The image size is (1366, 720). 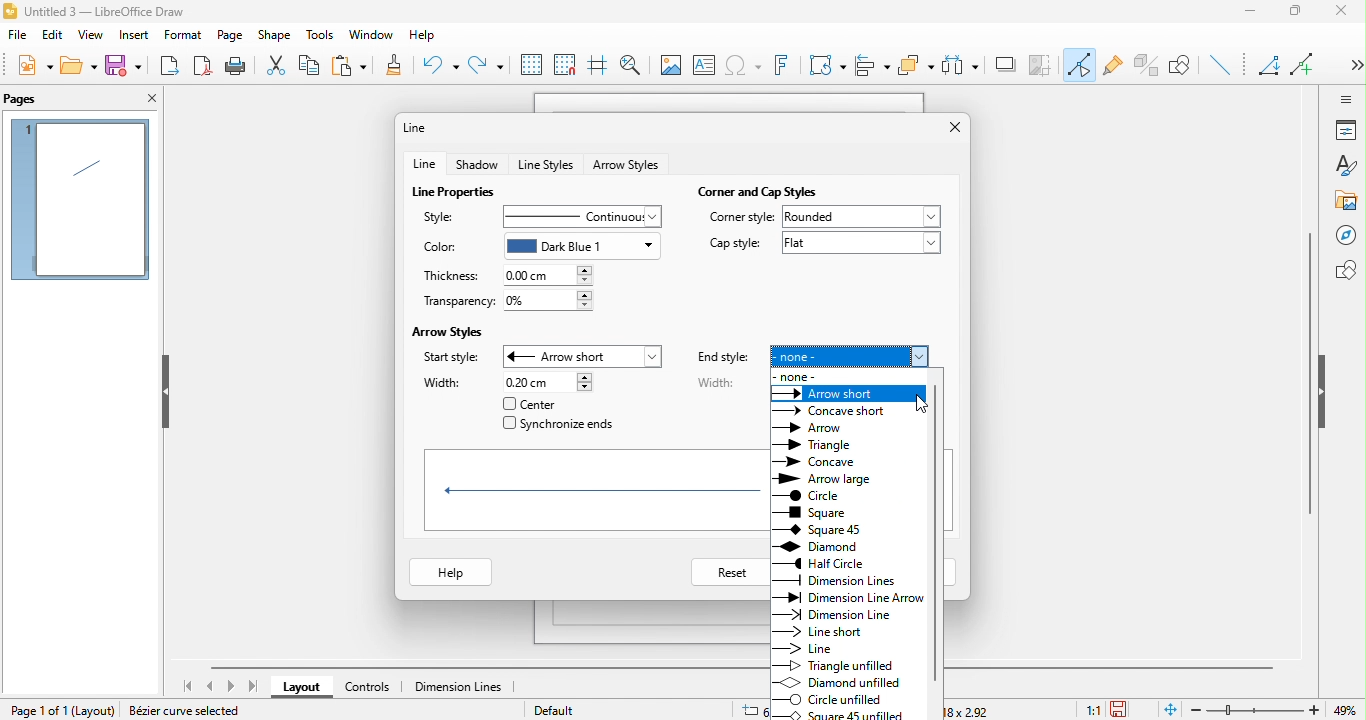 What do you see at coordinates (924, 406) in the screenshot?
I see `cursor movement` at bounding box center [924, 406].